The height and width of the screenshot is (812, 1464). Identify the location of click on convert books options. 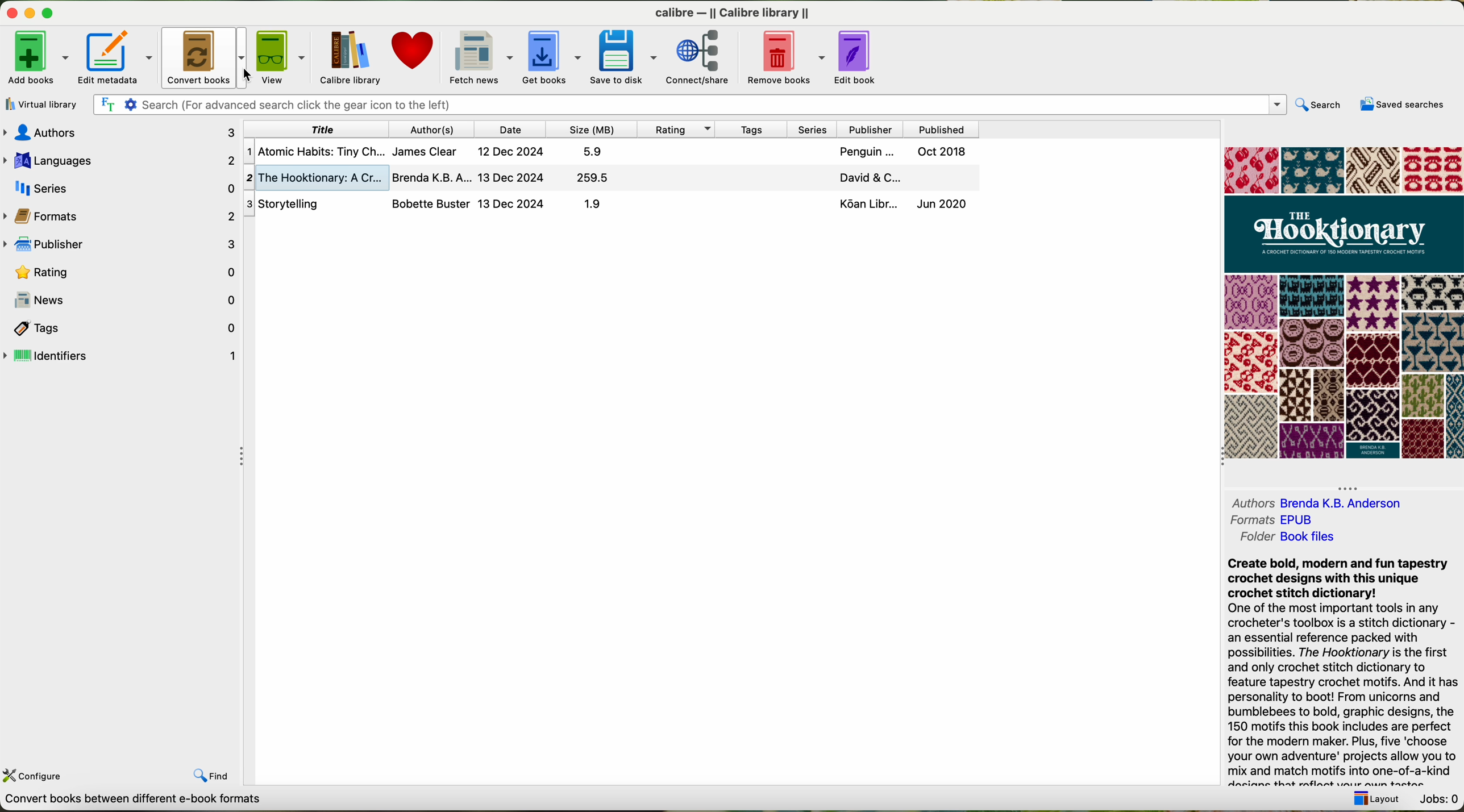
(205, 59).